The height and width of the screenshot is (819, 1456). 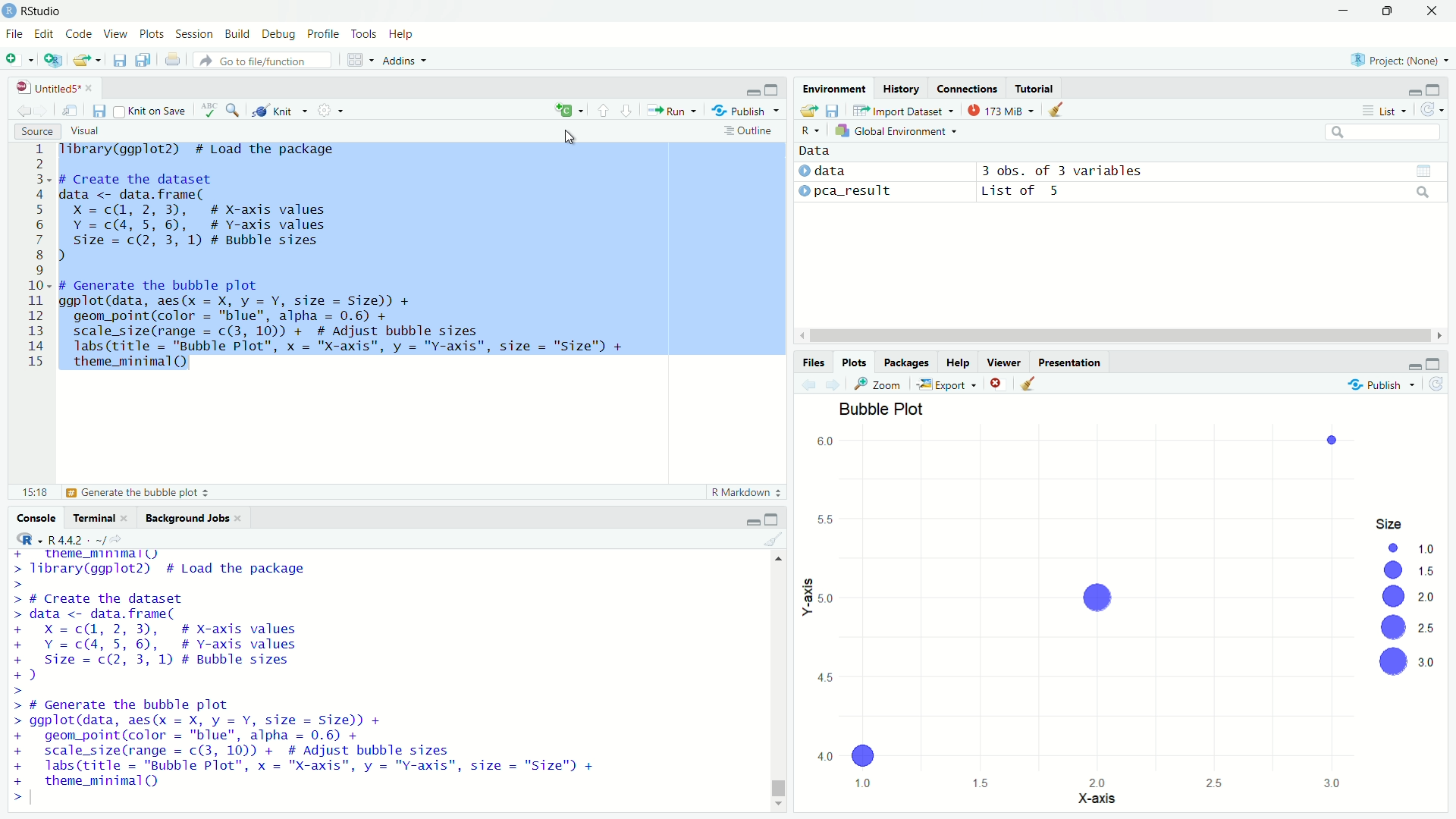 I want to click on data 2 : pca_result, so click(x=847, y=190).